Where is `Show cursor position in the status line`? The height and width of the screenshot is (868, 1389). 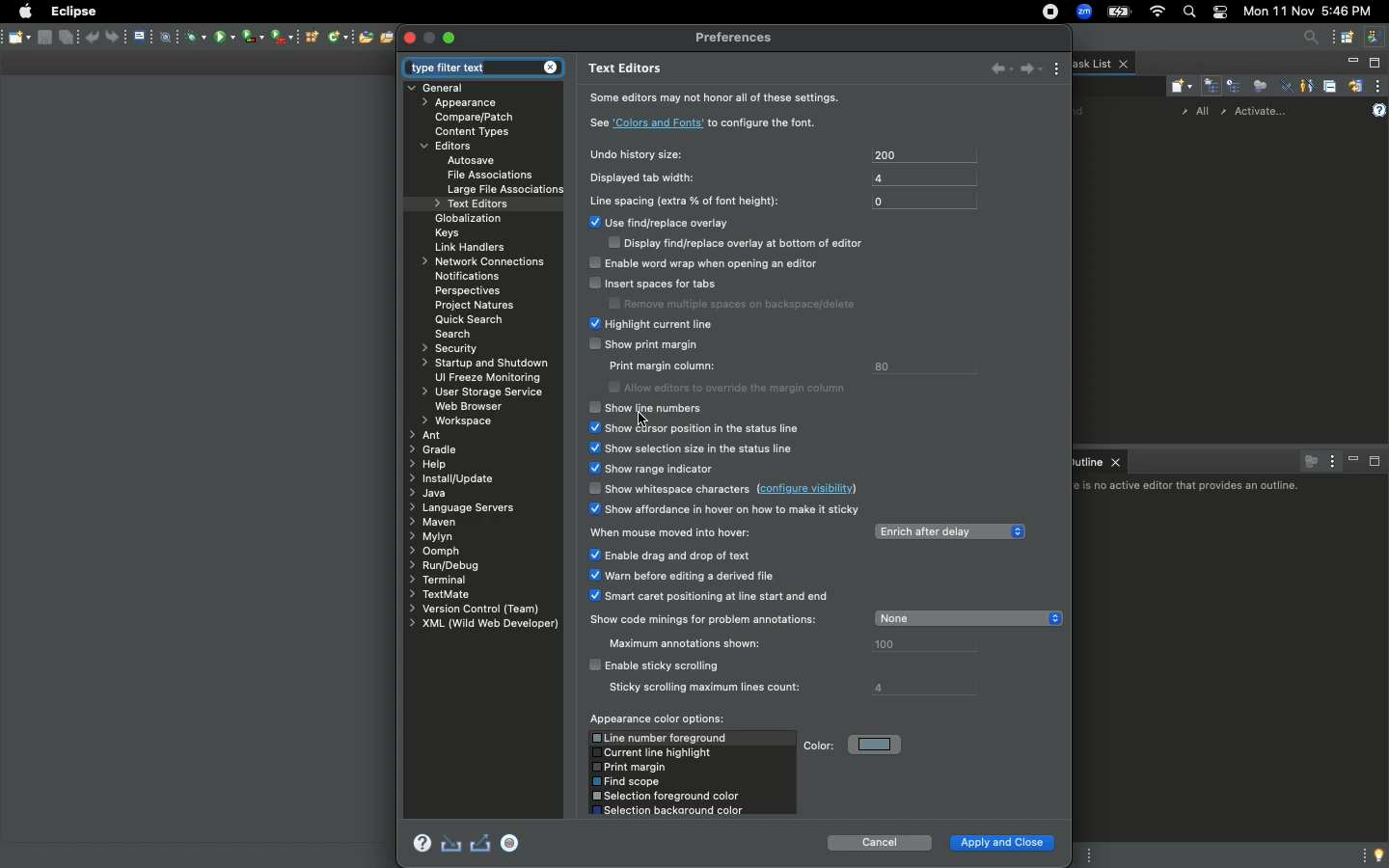 Show cursor position in the status line is located at coordinates (695, 426).